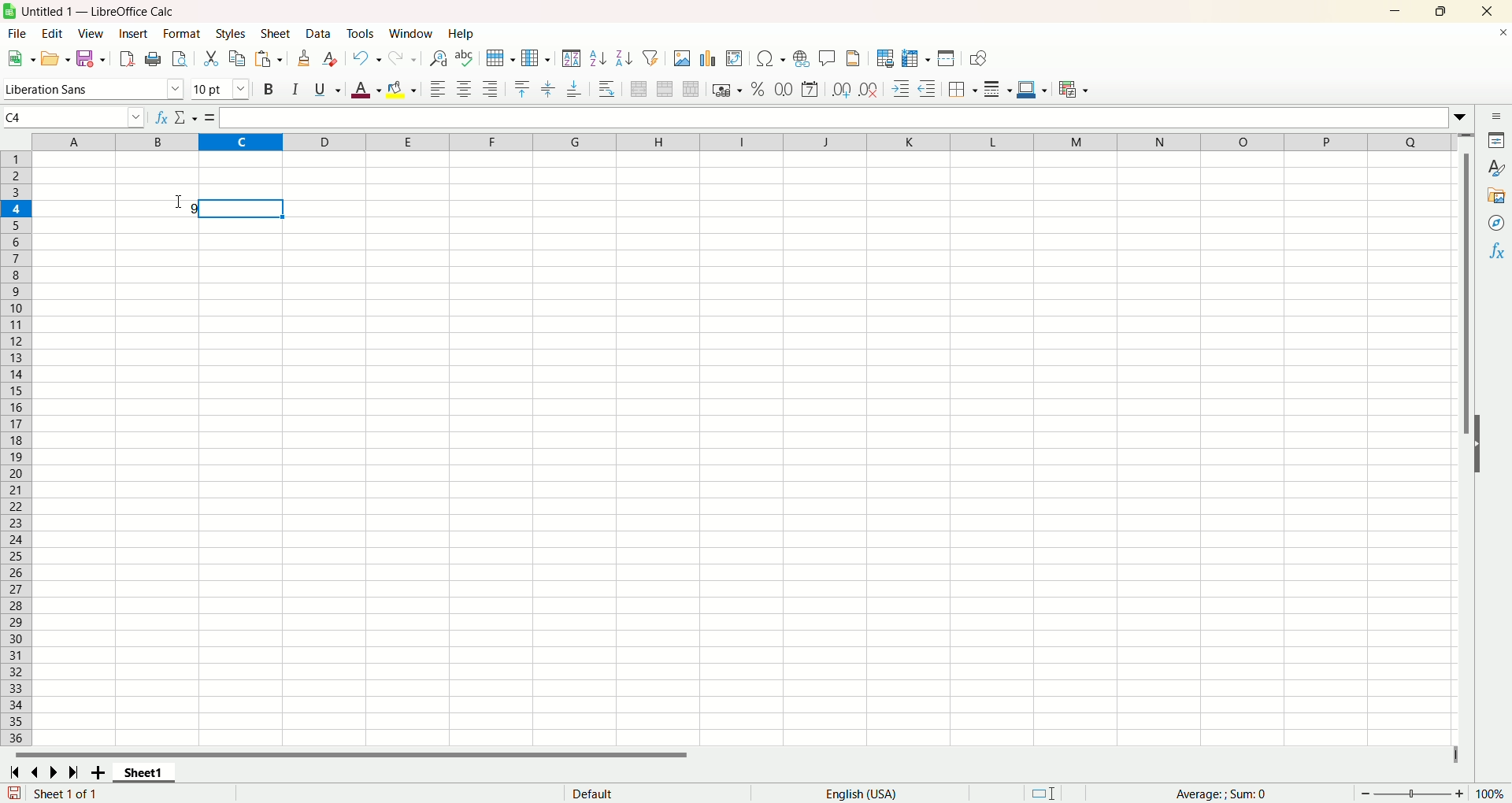  What do you see at coordinates (1498, 142) in the screenshot?
I see `properties` at bounding box center [1498, 142].